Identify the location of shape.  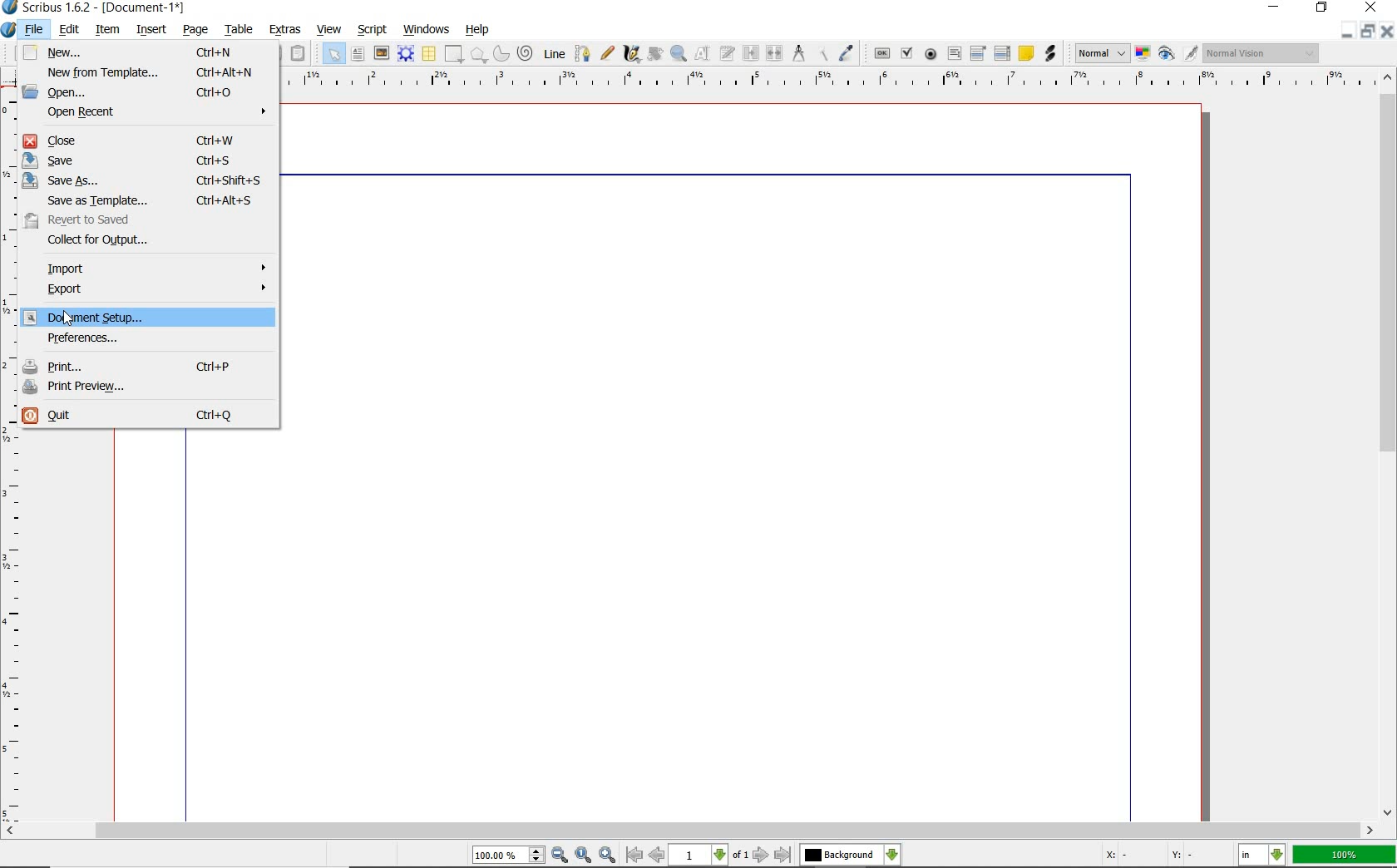
(454, 53).